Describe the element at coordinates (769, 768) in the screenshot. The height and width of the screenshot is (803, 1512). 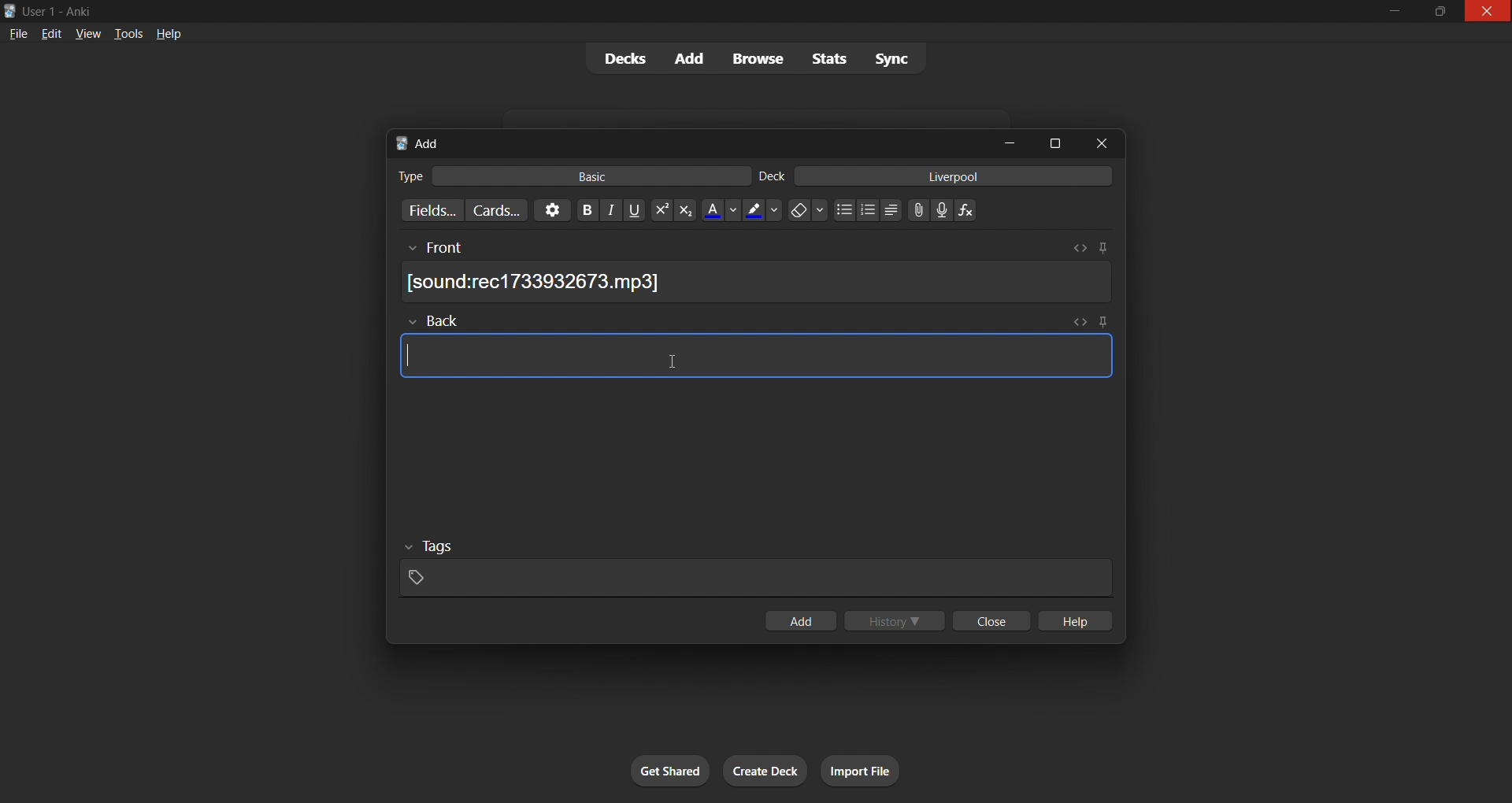
I see `create deck` at that location.